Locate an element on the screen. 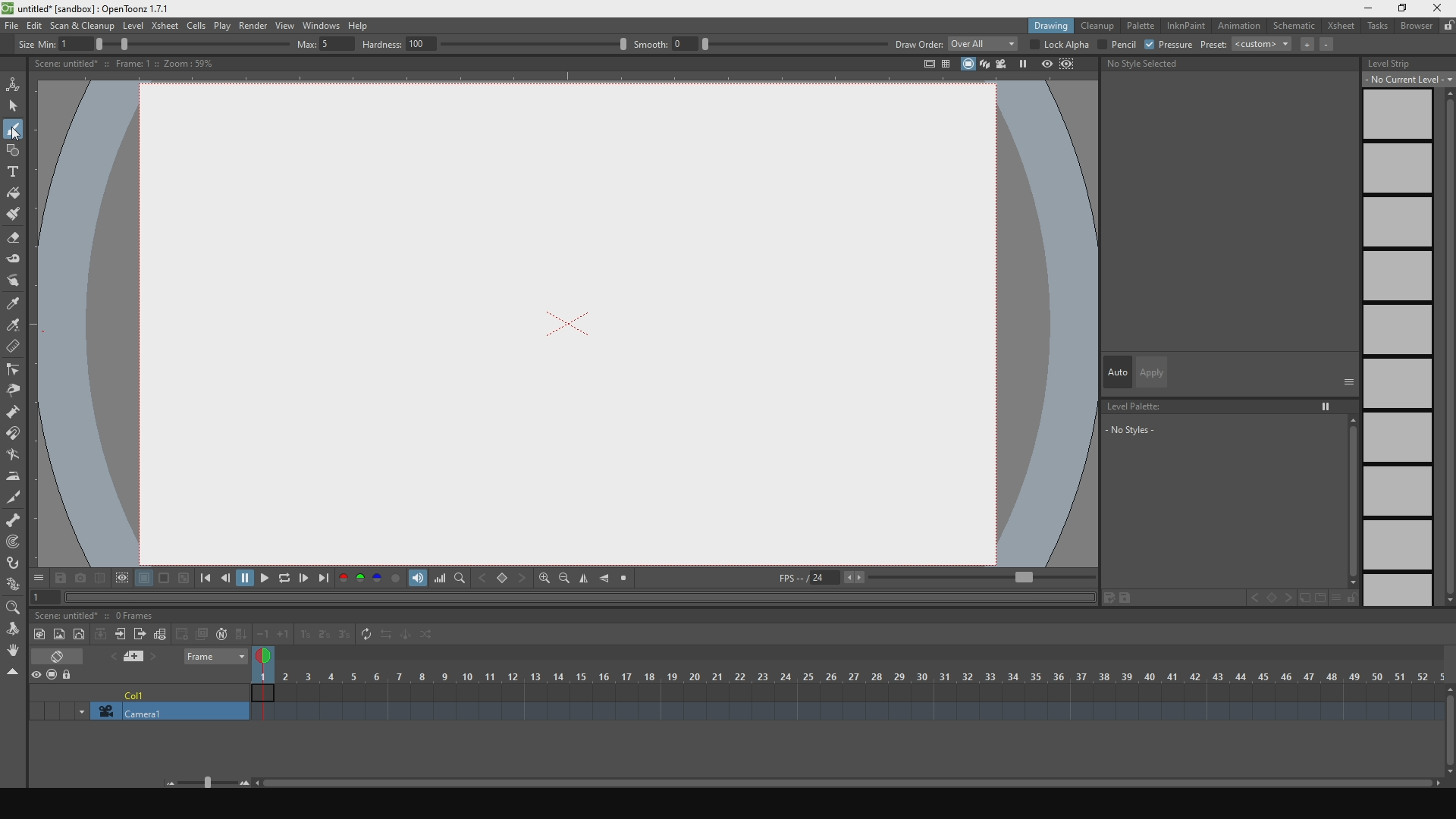 This screenshot has width=1456, height=819. options is located at coordinates (1349, 381).